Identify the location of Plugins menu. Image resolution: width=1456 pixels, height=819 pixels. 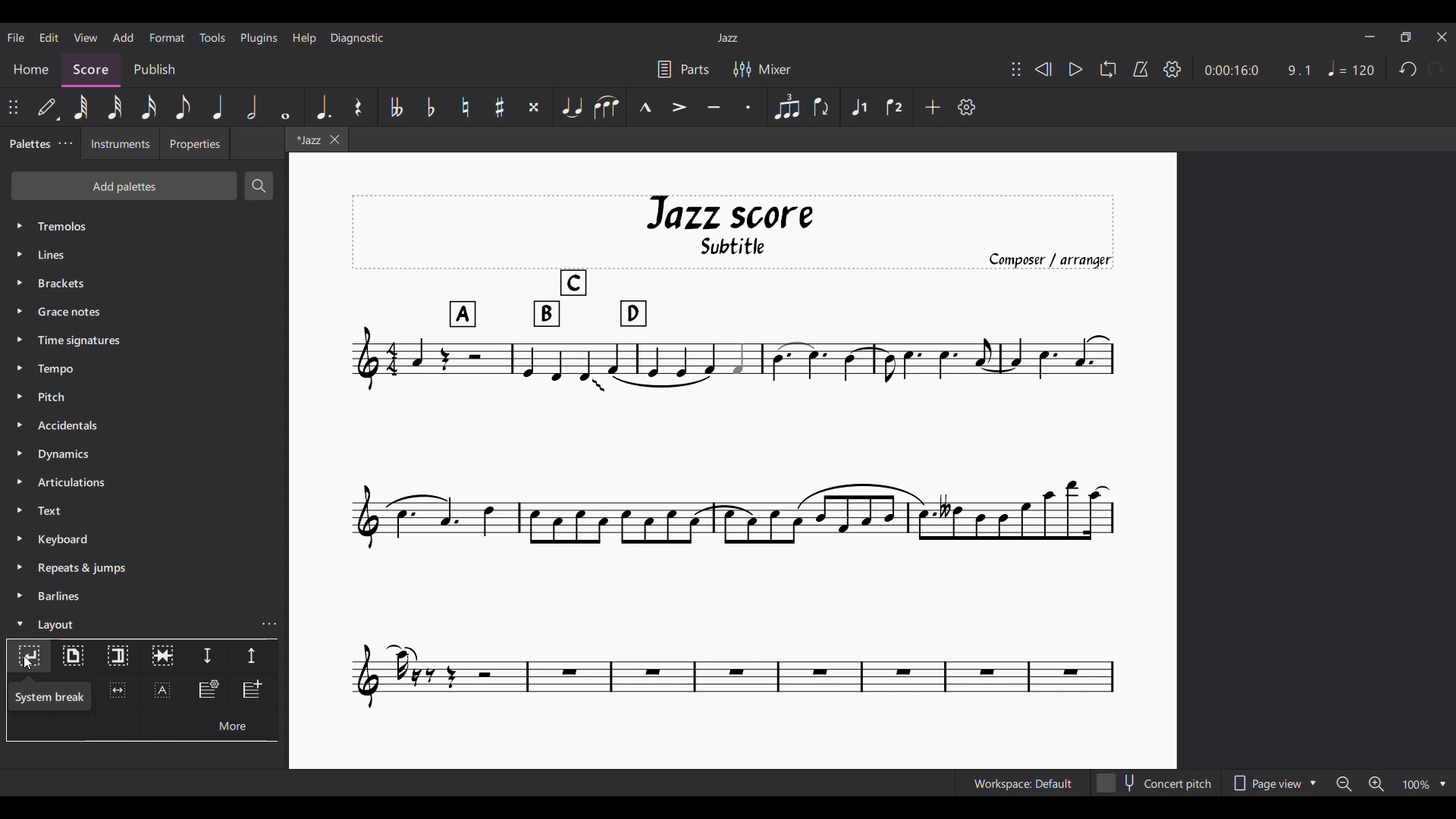
(259, 38).